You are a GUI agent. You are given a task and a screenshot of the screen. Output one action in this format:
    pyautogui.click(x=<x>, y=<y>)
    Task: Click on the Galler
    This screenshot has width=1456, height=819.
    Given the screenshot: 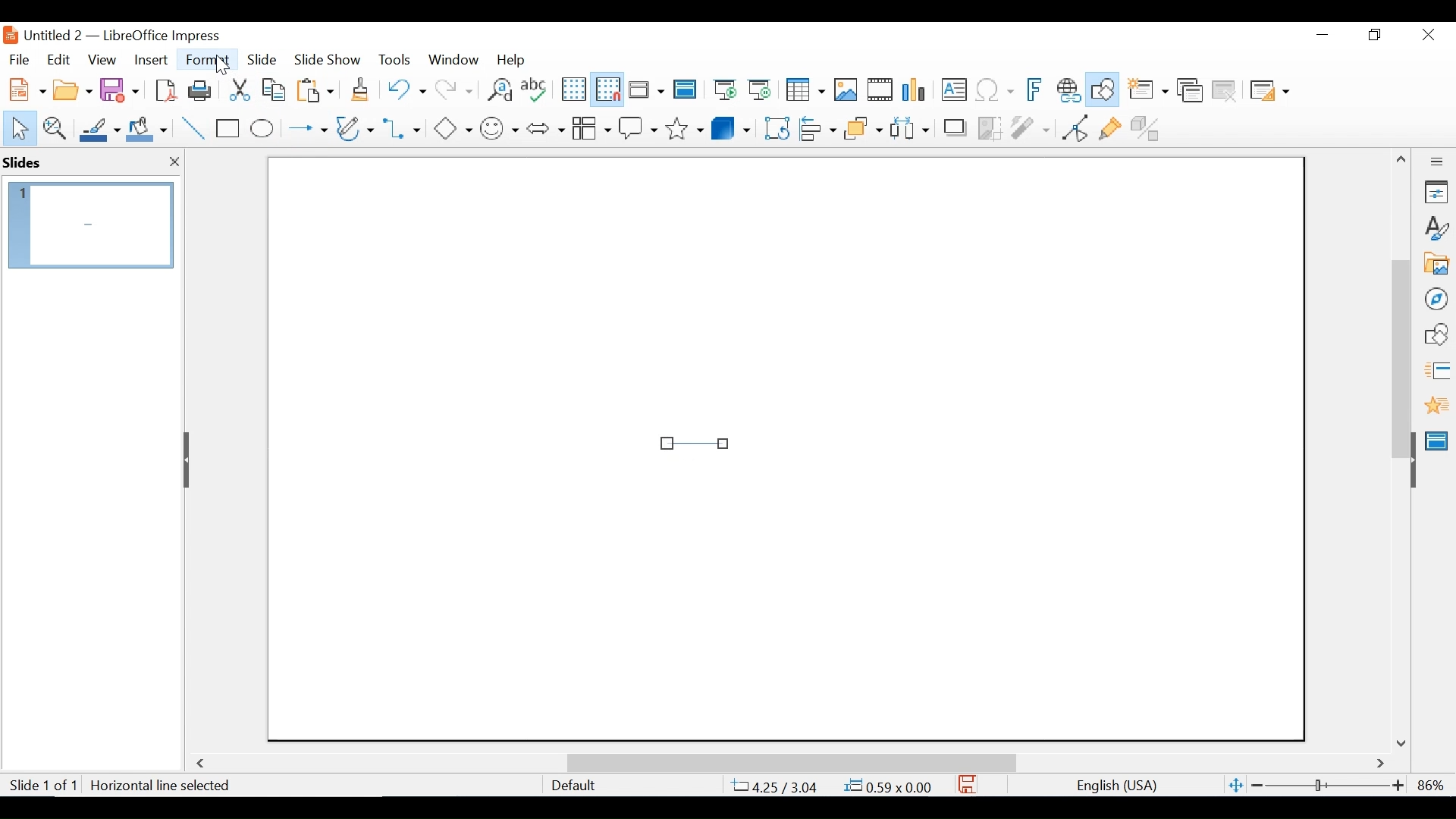 What is the action you would take?
    pyautogui.click(x=1436, y=265)
    